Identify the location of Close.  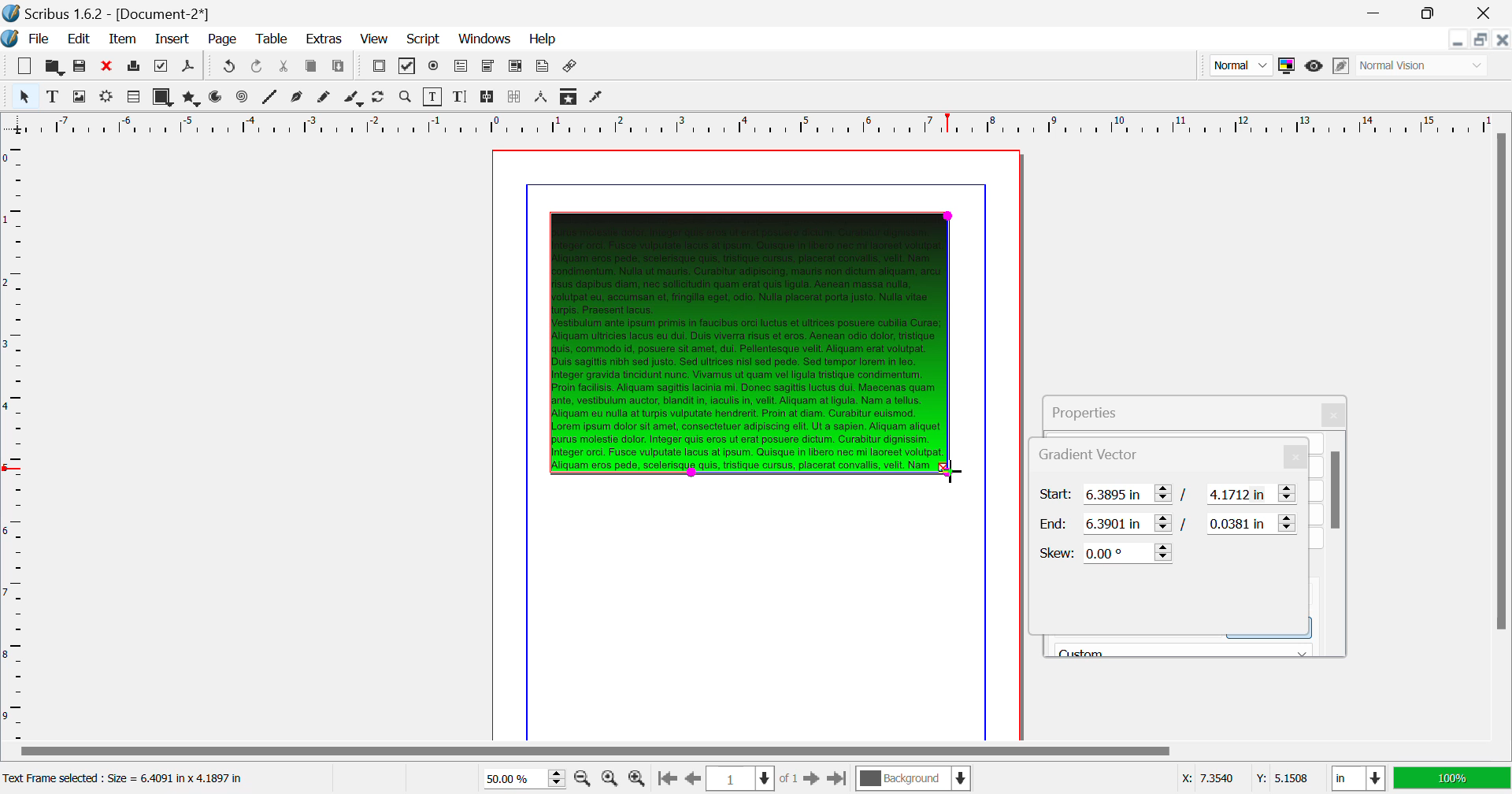
(1298, 457).